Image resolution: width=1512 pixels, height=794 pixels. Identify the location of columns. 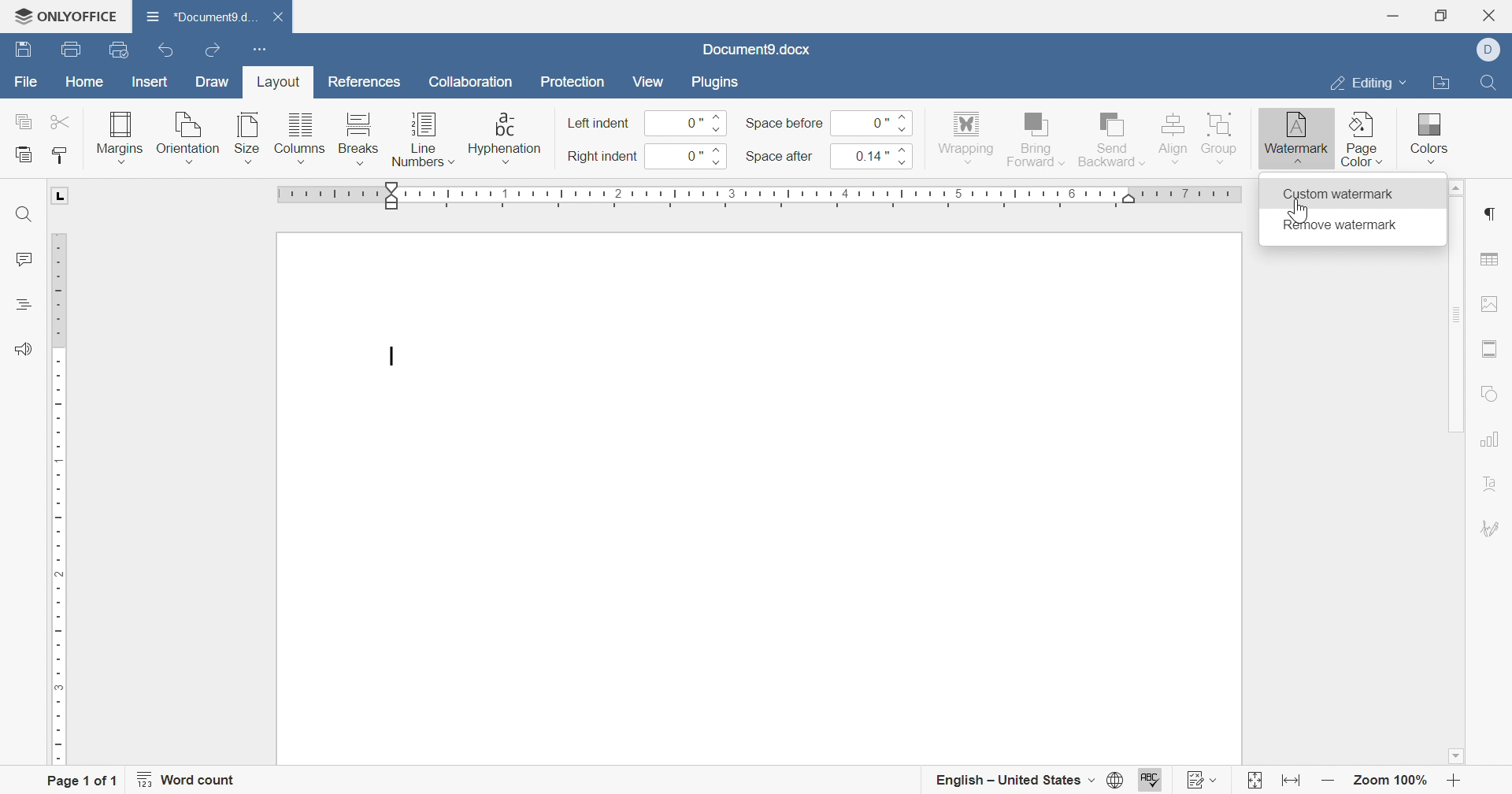
(300, 139).